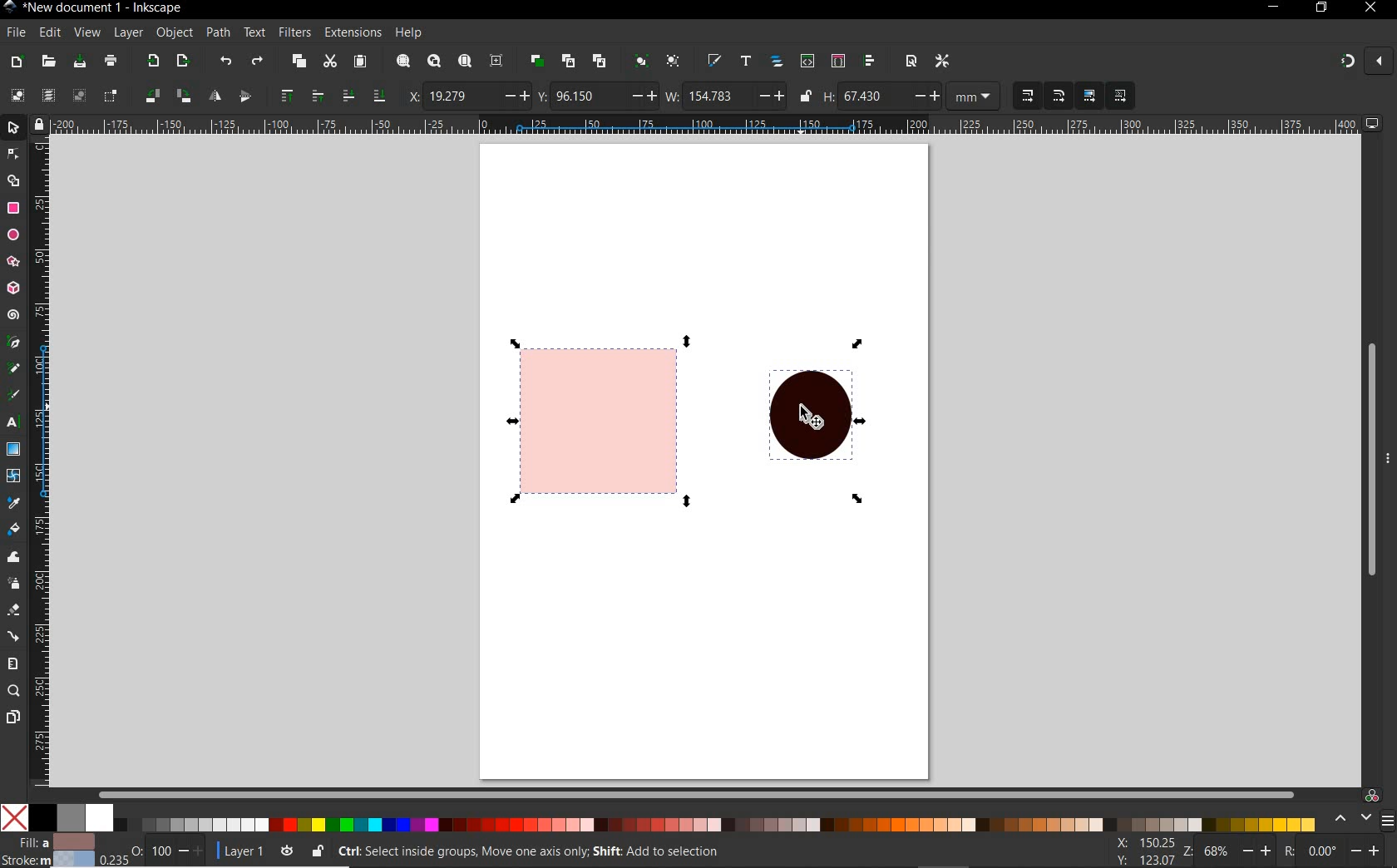  I want to click on mesh tool, so click(13, 476).